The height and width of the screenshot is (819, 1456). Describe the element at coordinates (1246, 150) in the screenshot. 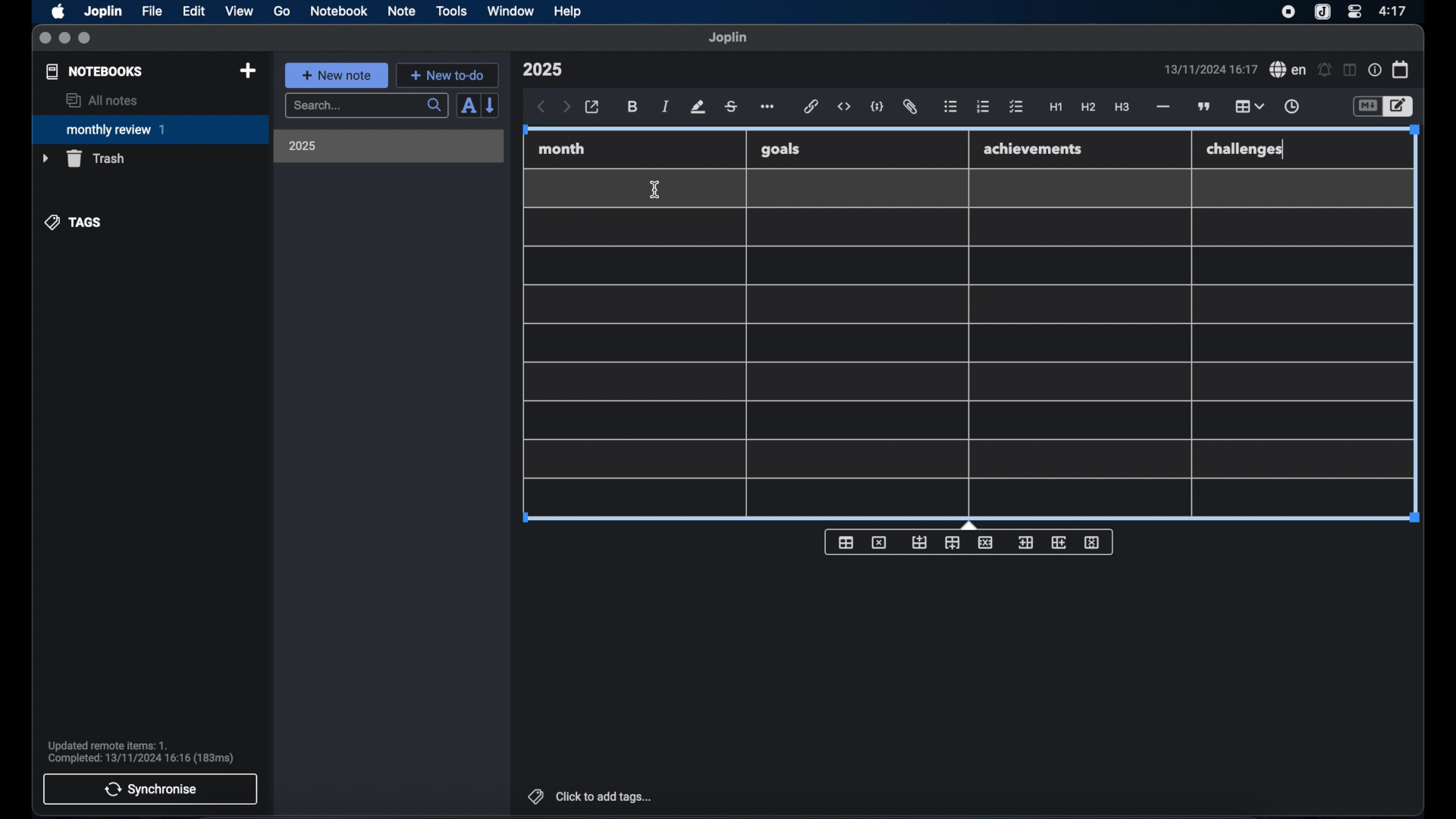

I see `challenges` at that location.